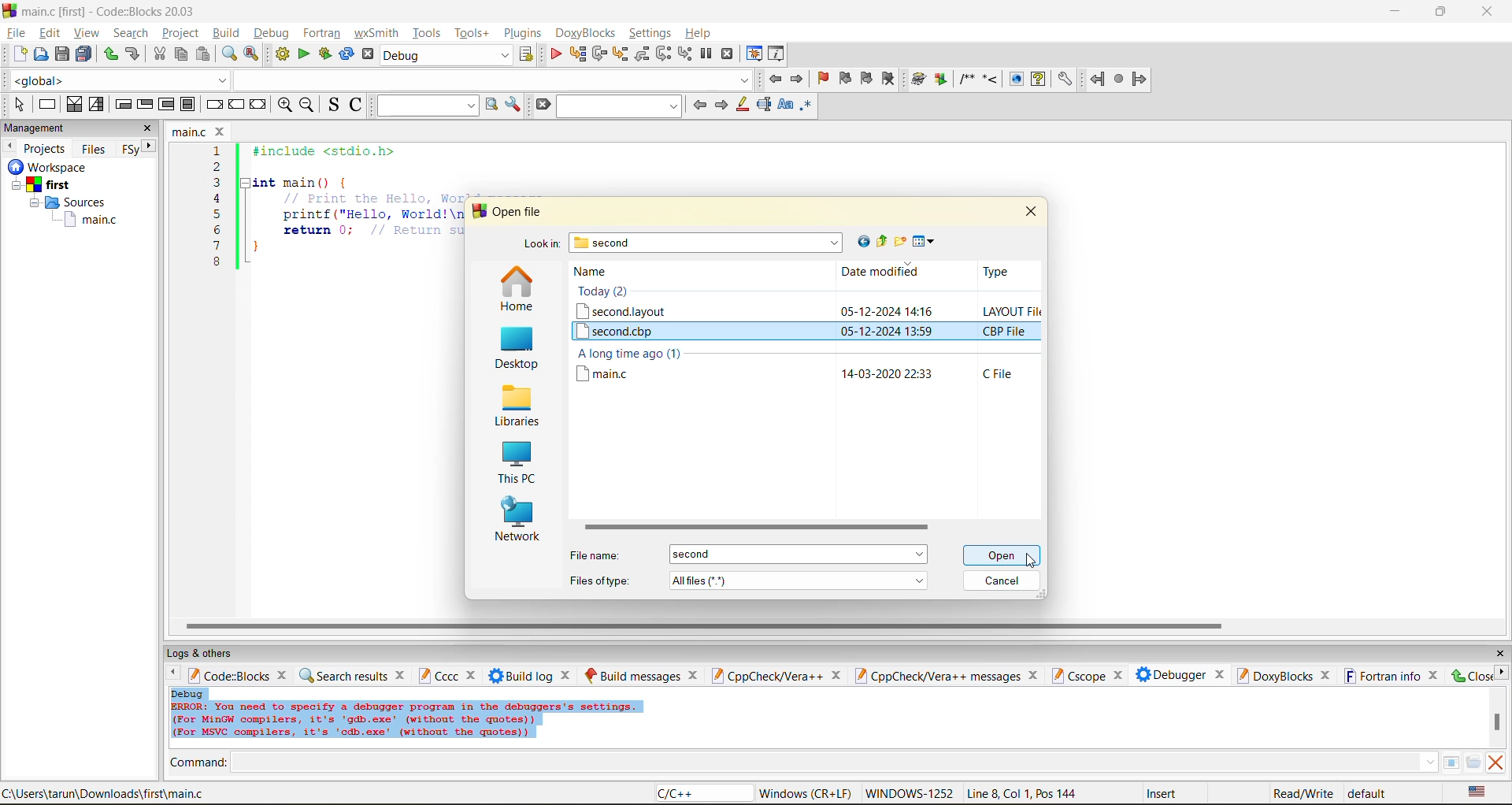  I want to click on abort, so click(368, 54).